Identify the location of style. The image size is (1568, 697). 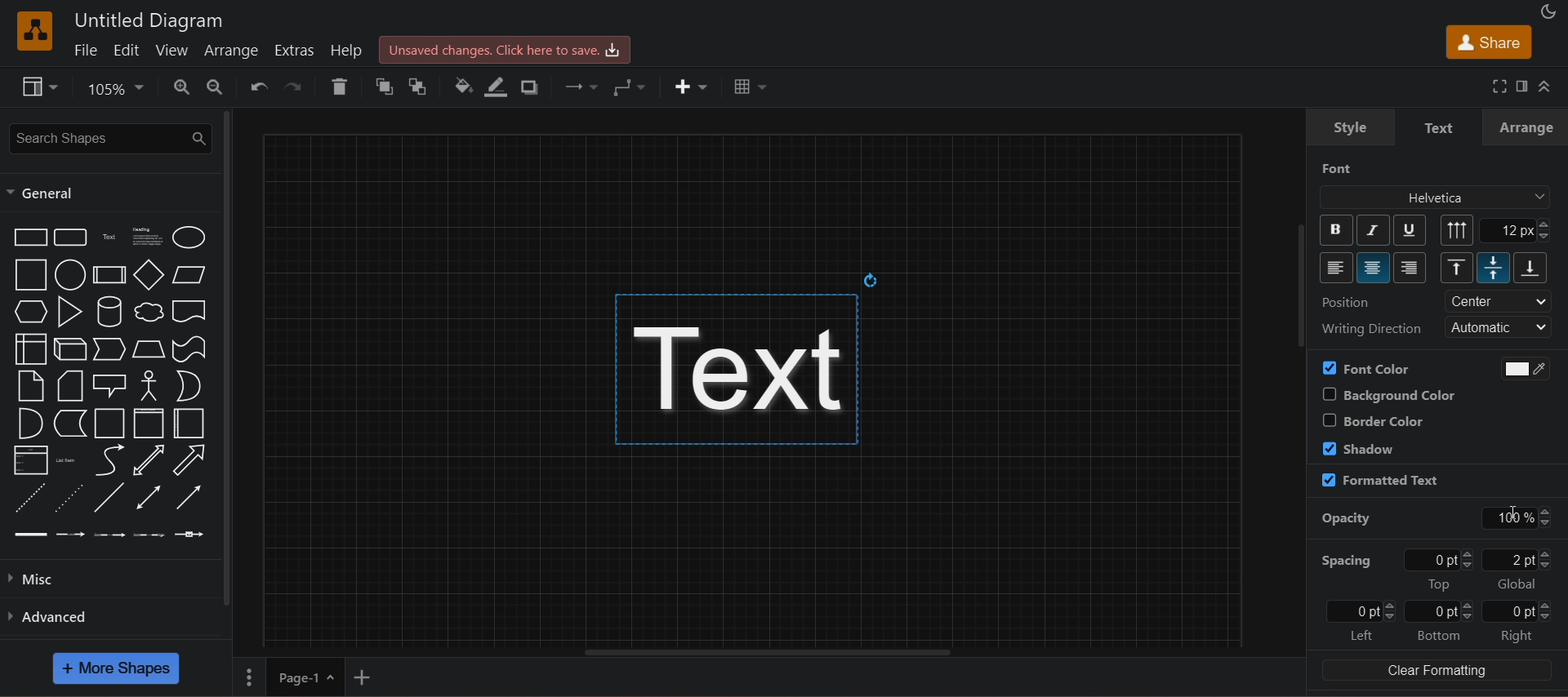
(1350, 127).